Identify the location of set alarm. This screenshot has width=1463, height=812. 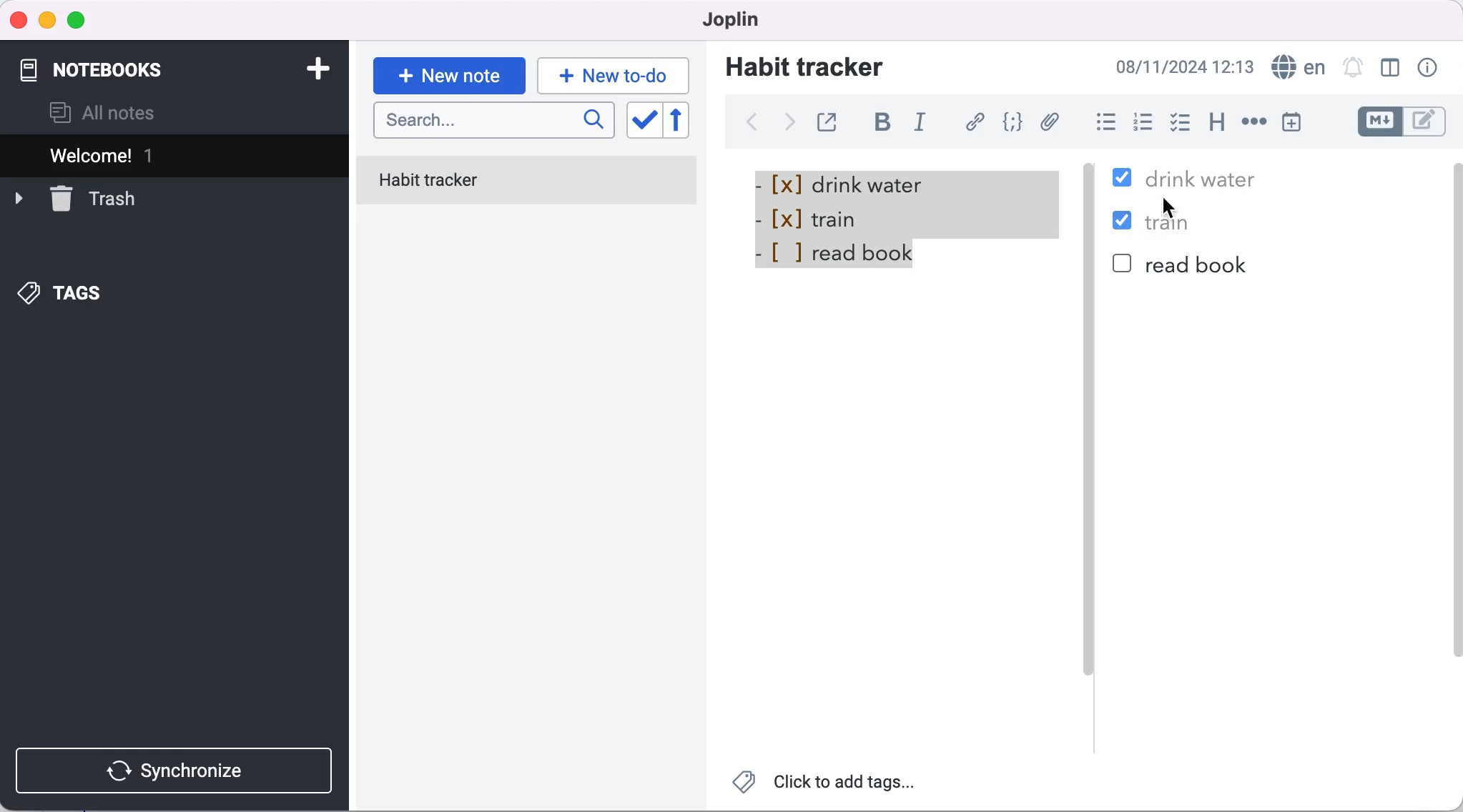
(1352, 66).